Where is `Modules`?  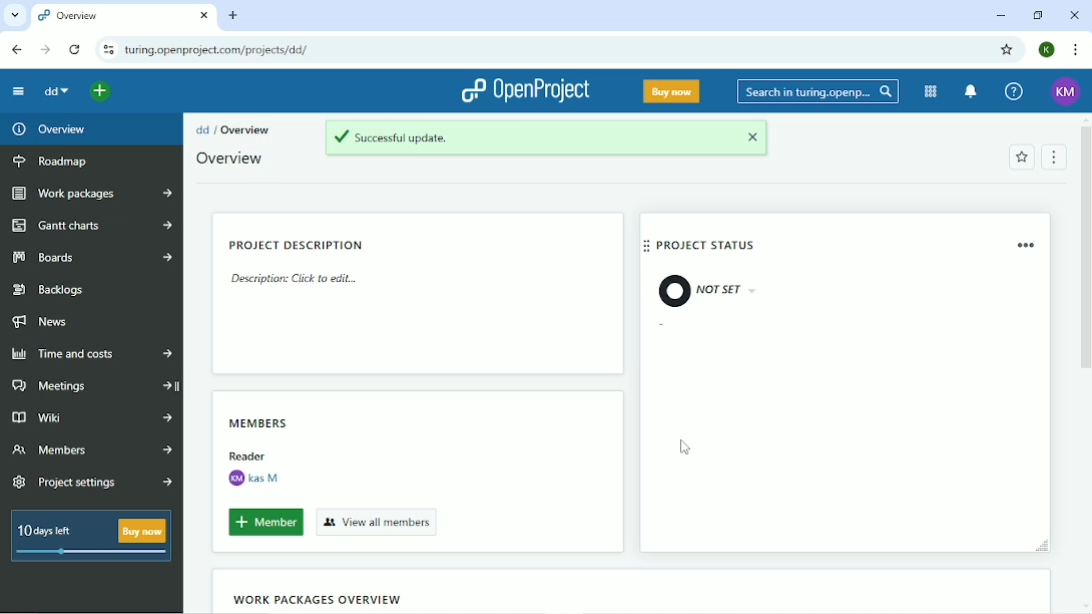
Modules is located at coordinates (930, 92).